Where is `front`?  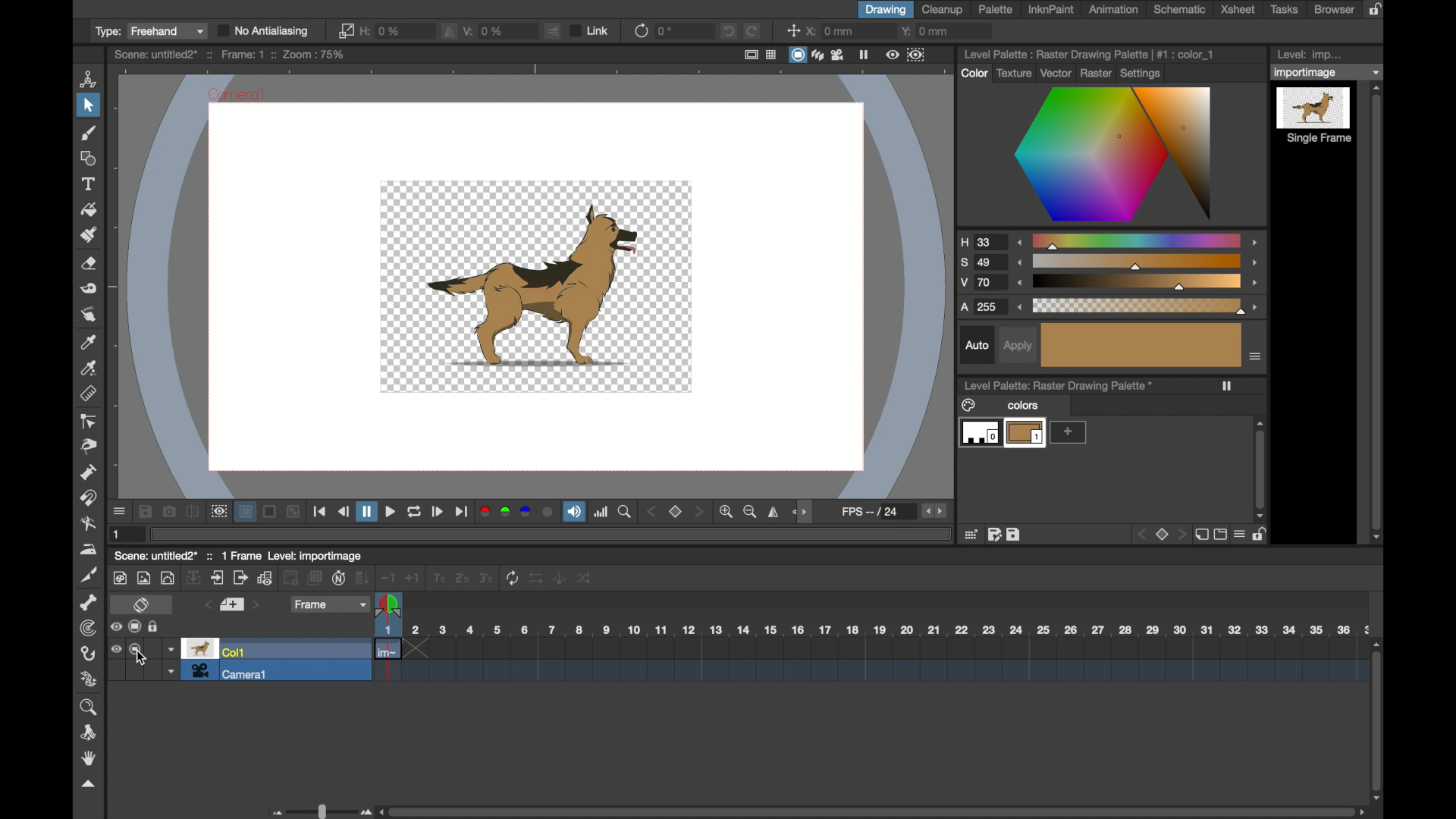 front is located at coordinates (699, 512).